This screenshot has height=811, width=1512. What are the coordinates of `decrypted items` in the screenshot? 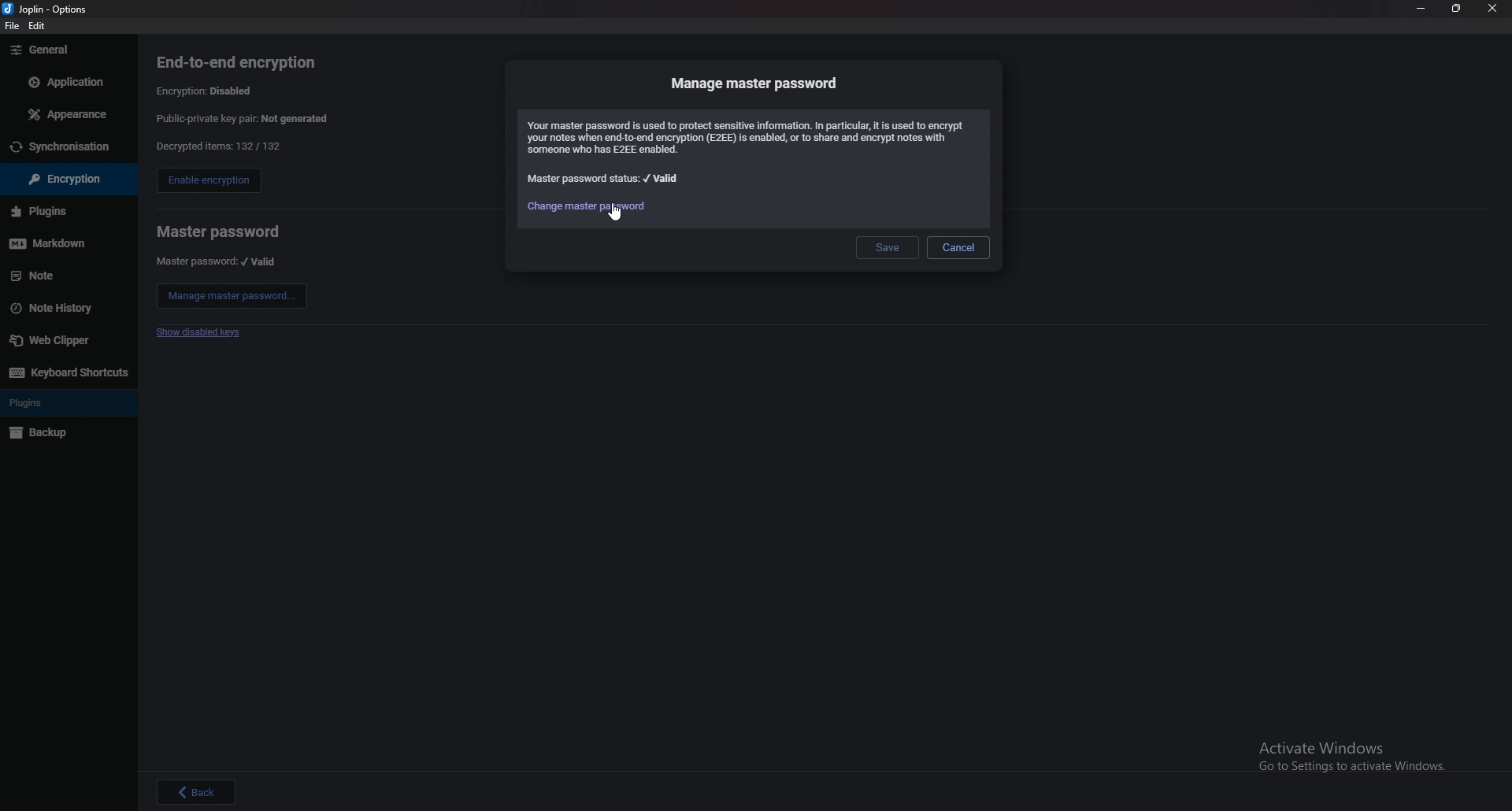 It's located at (217, 146).